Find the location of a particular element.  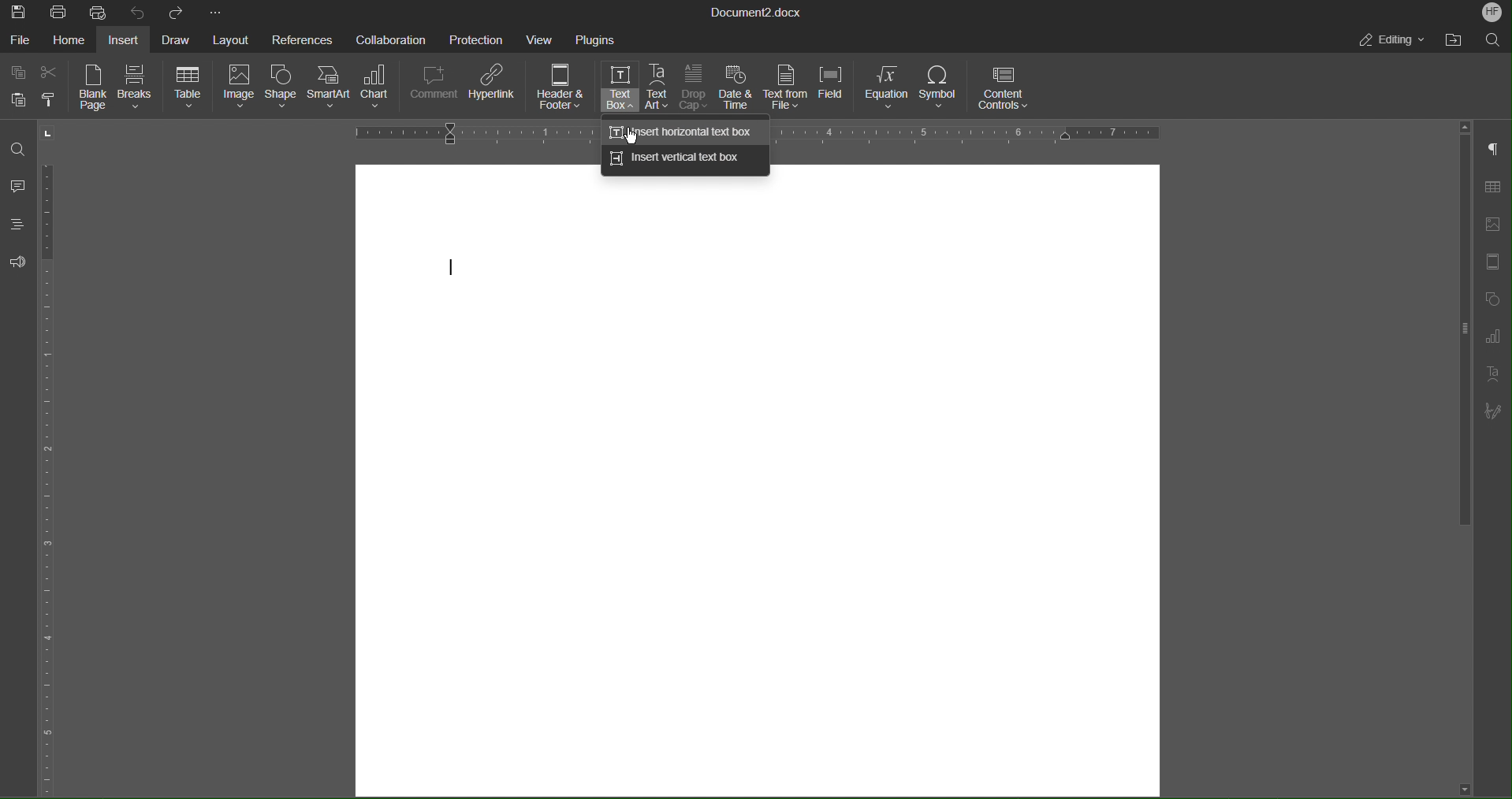

Insert Image is located at coordinates (1490, 225).